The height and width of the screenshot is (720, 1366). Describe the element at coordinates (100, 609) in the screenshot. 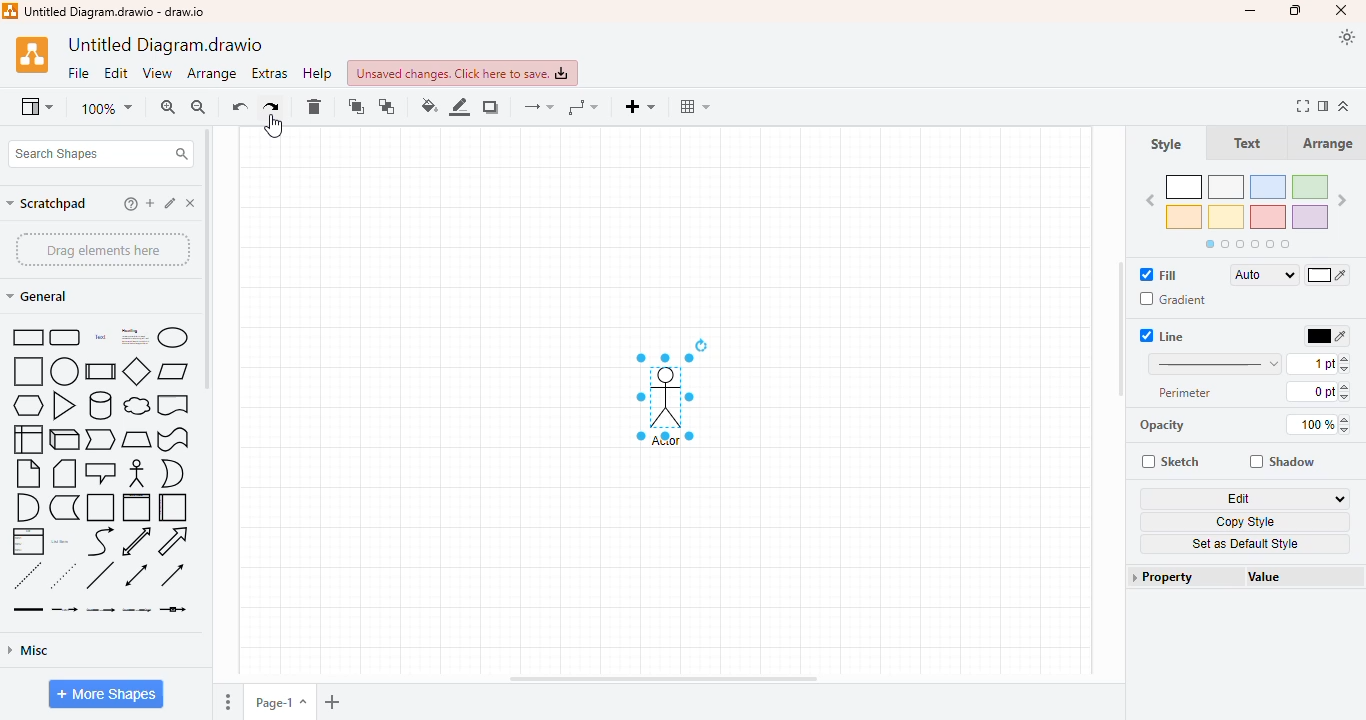

I see `connector with 2 labels` at that location.